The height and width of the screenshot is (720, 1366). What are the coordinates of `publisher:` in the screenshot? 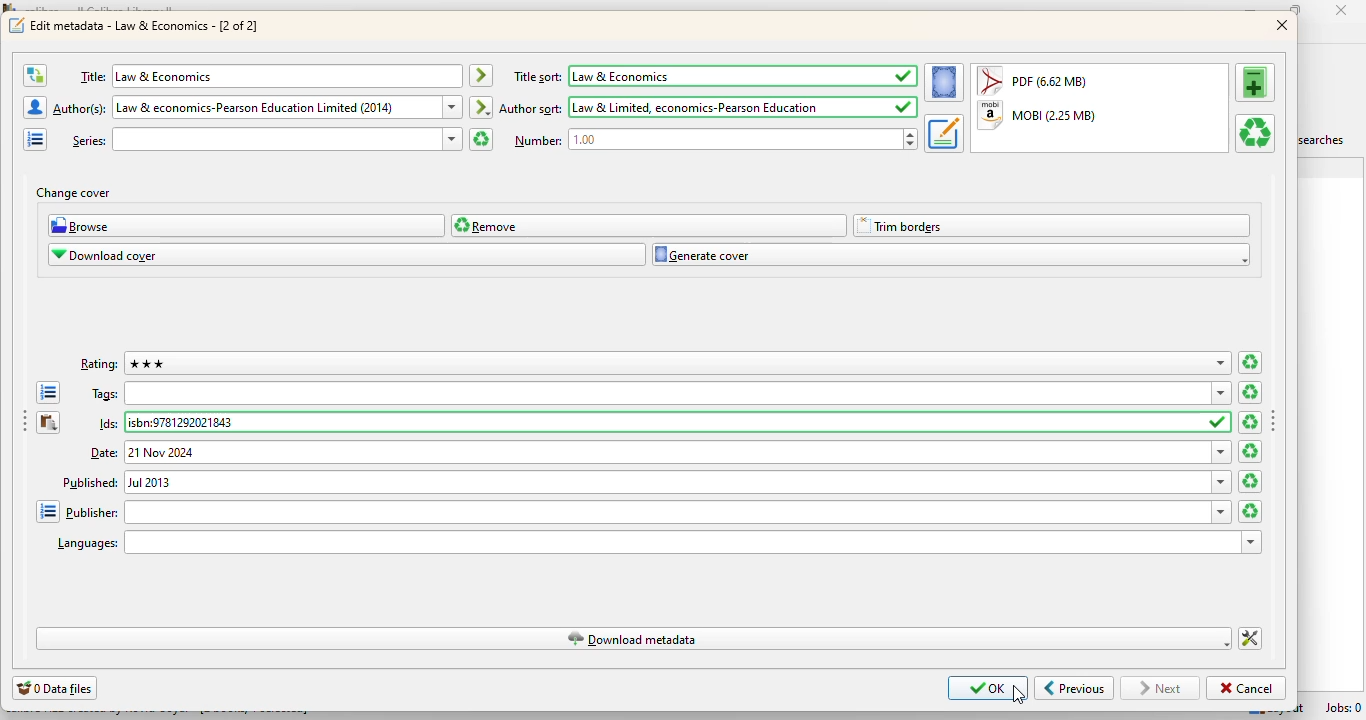 It's located at (647, 511).